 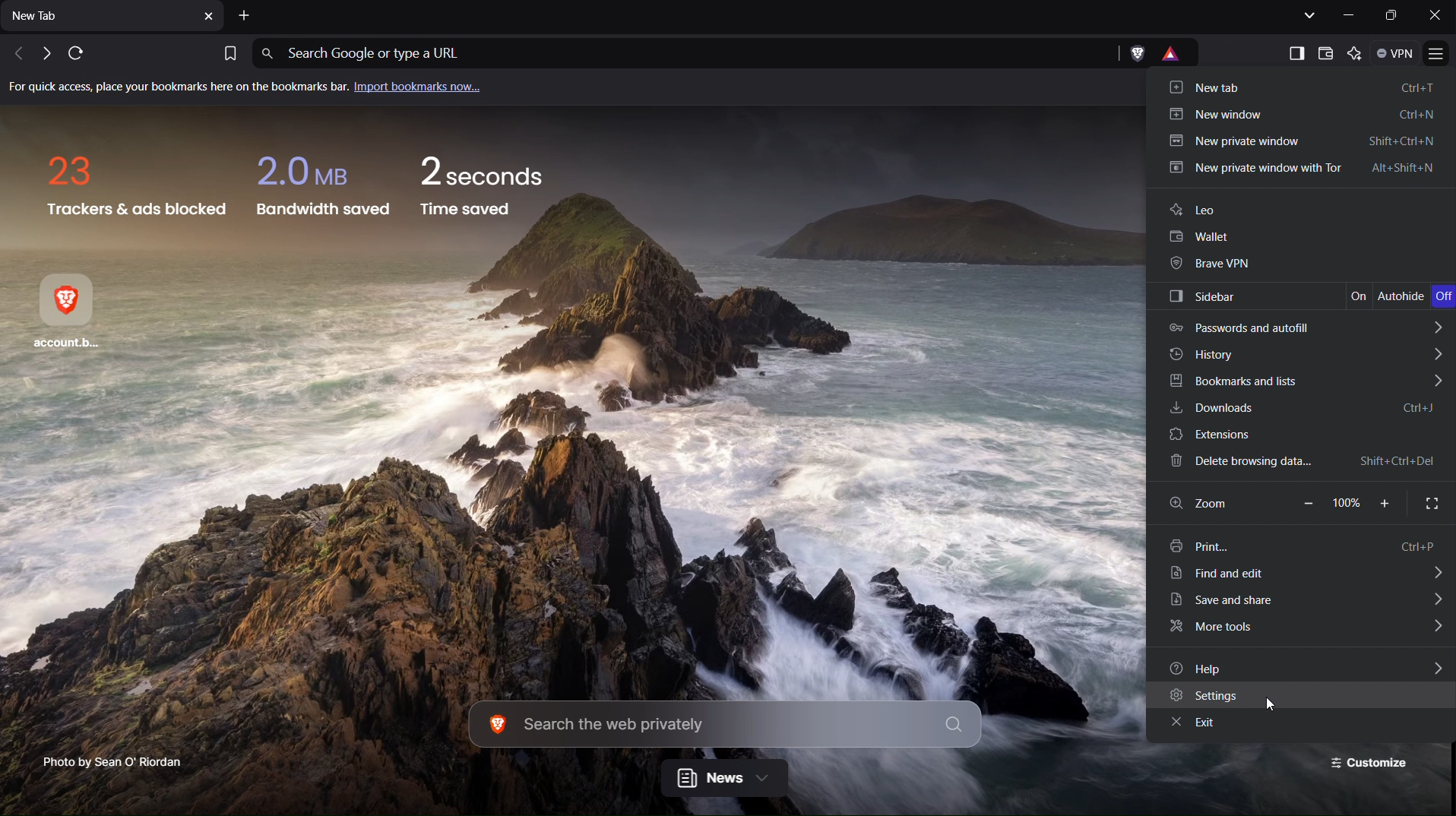 What do you see at coordinates (1302, 629) in the screenshot?
I see `More tools` at bounding box center [1302, 629].